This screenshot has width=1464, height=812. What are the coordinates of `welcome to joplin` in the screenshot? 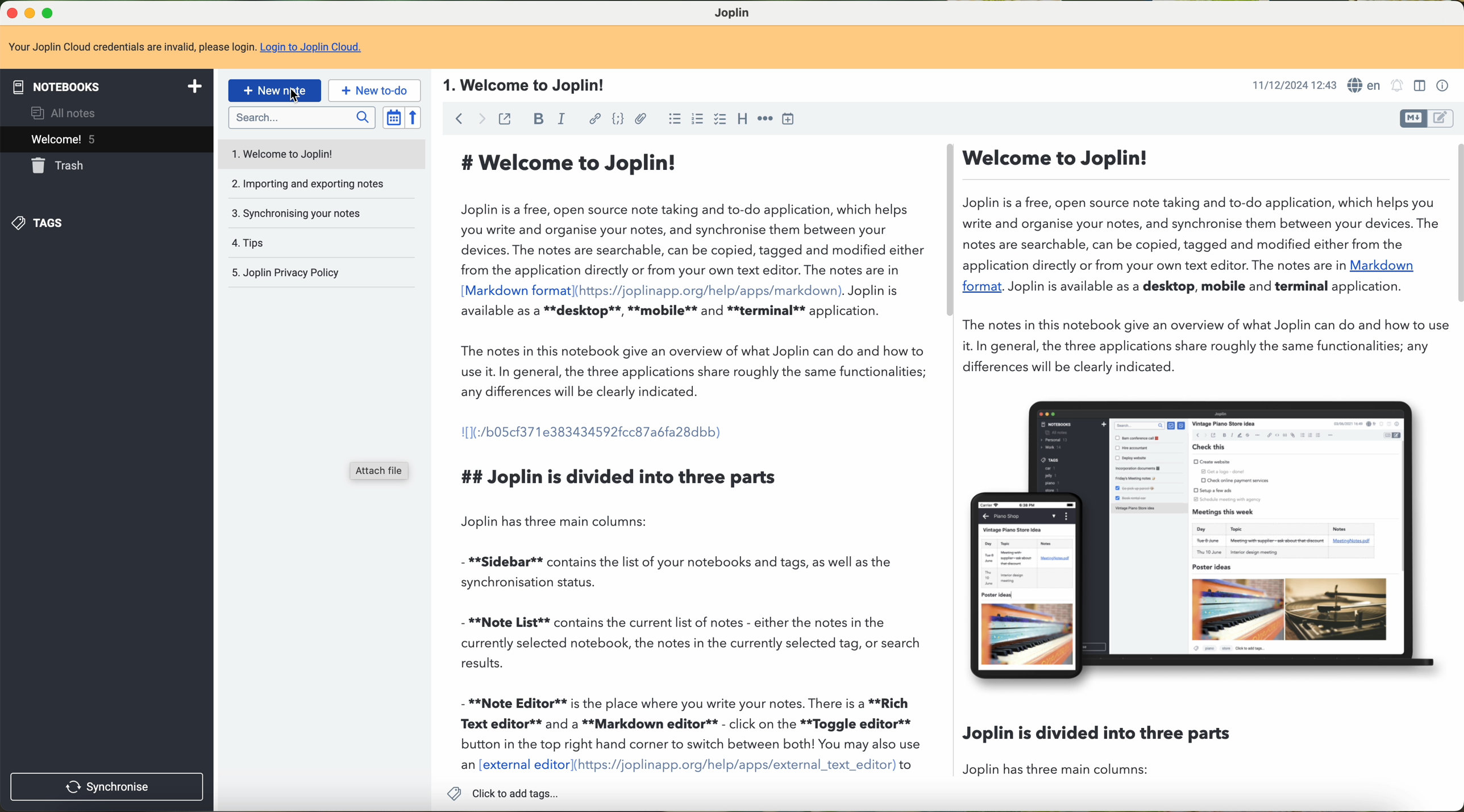 It's located at (280, 153).